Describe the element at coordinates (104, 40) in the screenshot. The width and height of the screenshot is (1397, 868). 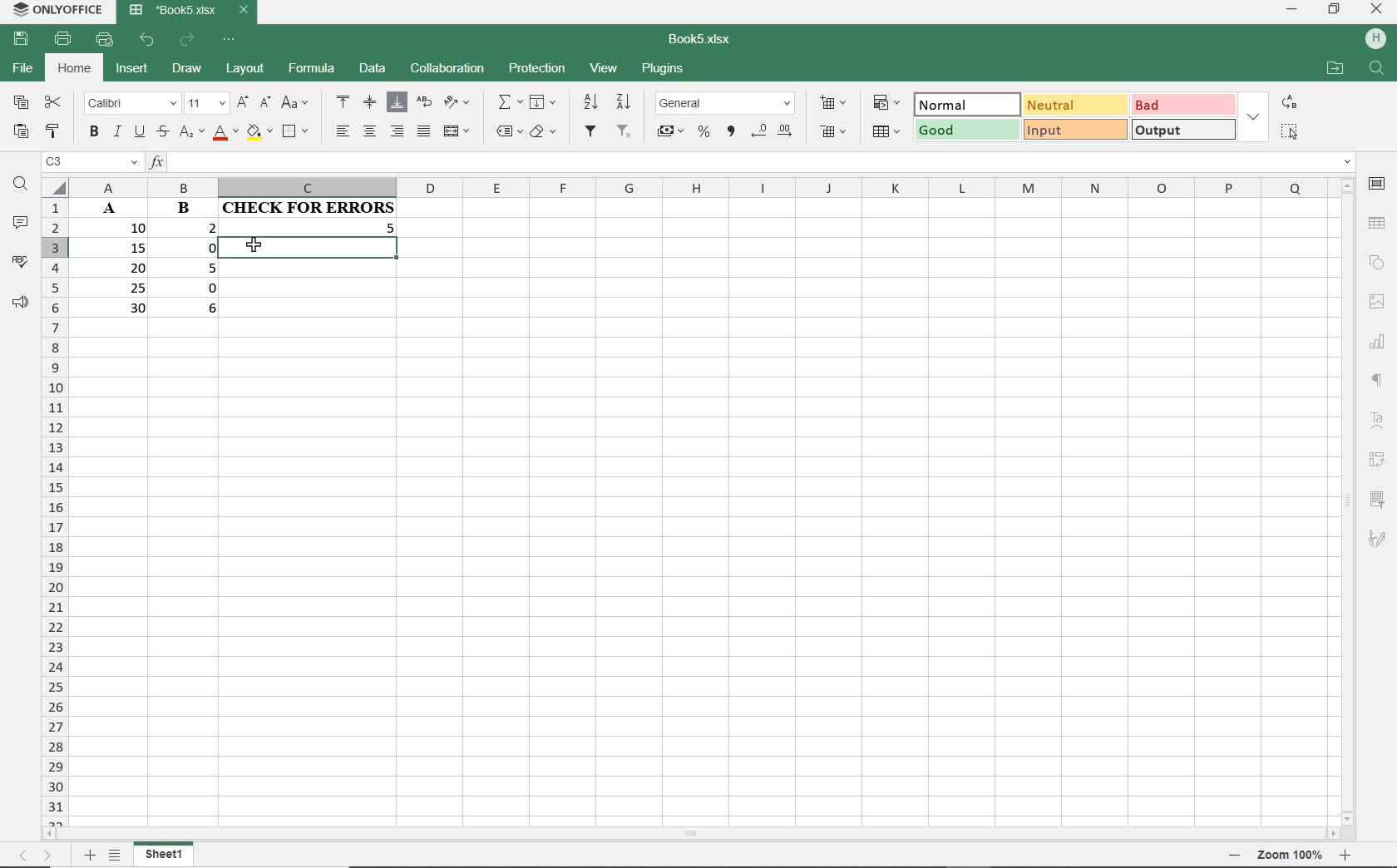
I see `QUICK PRINT` at that location.